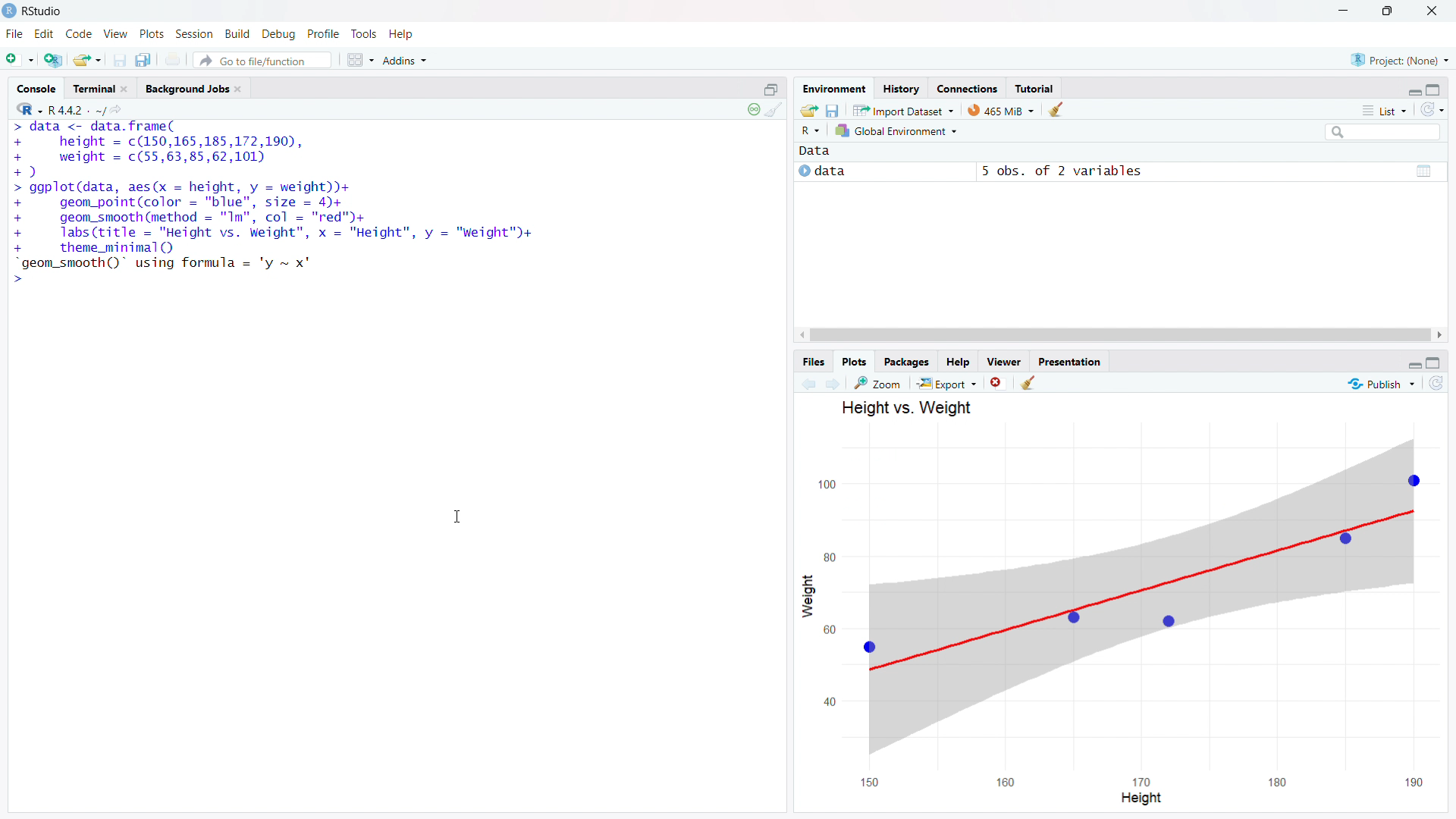  I want to click on session, so click(194, 33).